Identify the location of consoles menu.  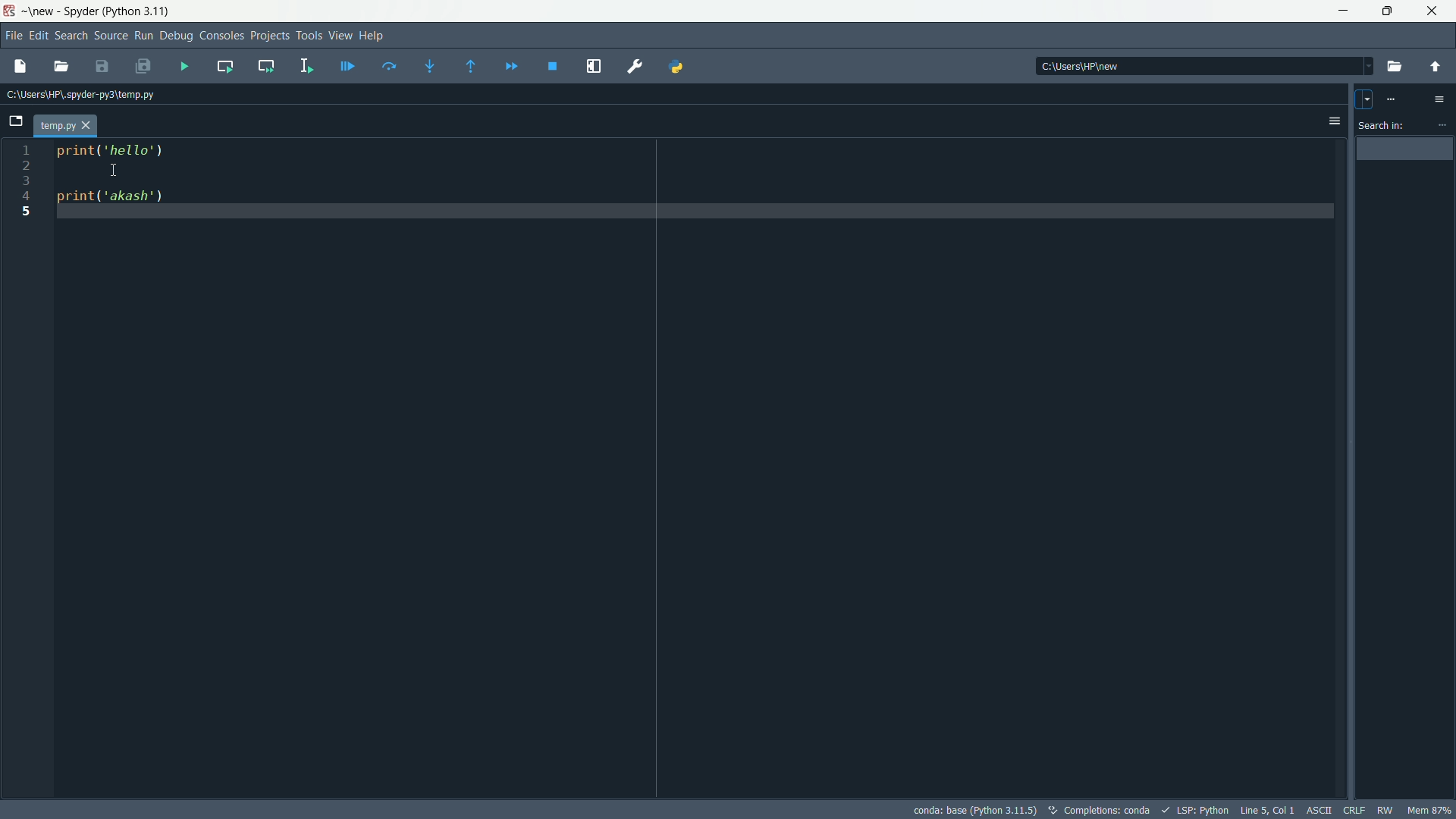
(221, 36).